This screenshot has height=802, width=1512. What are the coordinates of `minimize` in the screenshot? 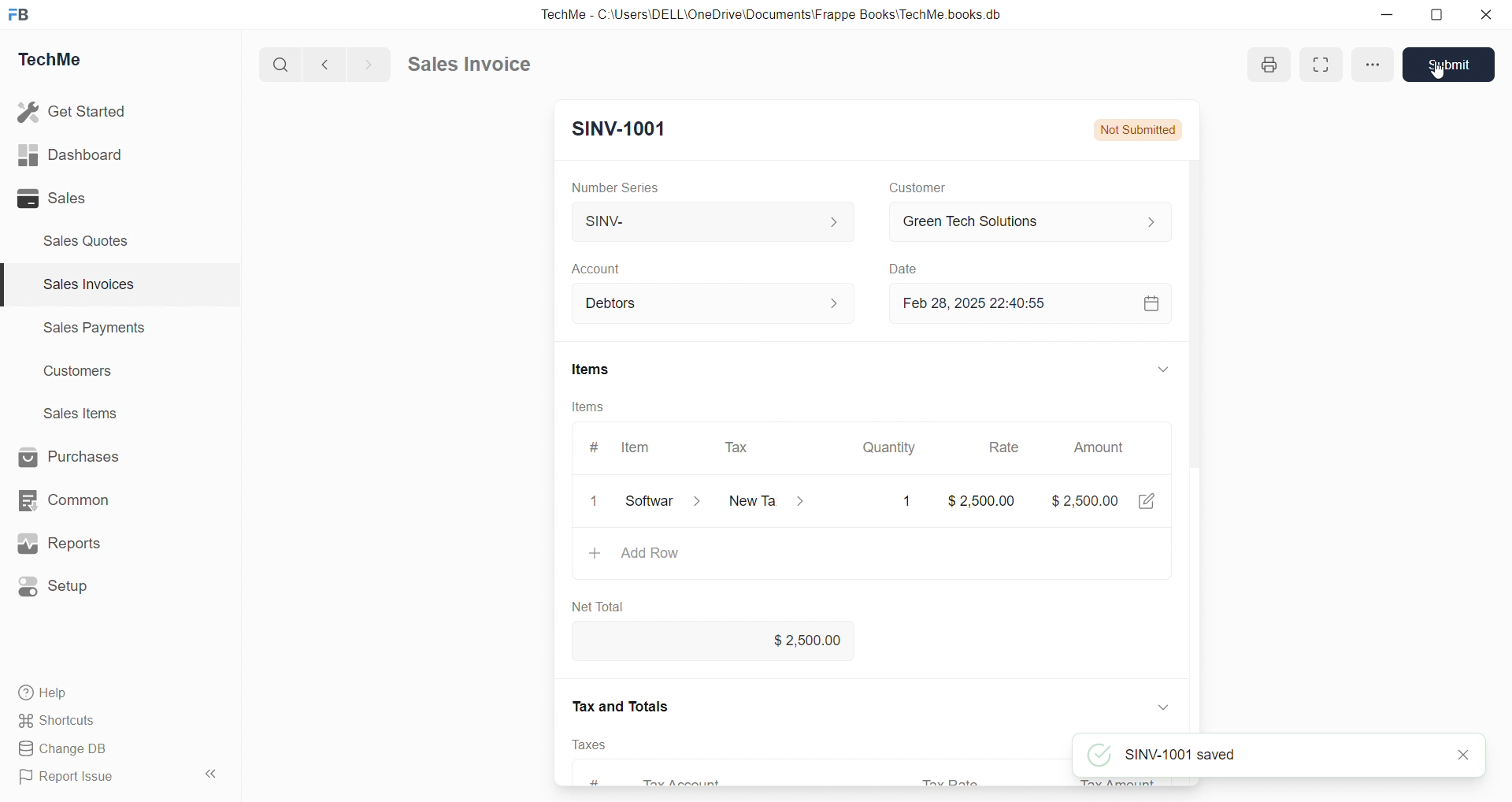 It's located at (1386, 14).